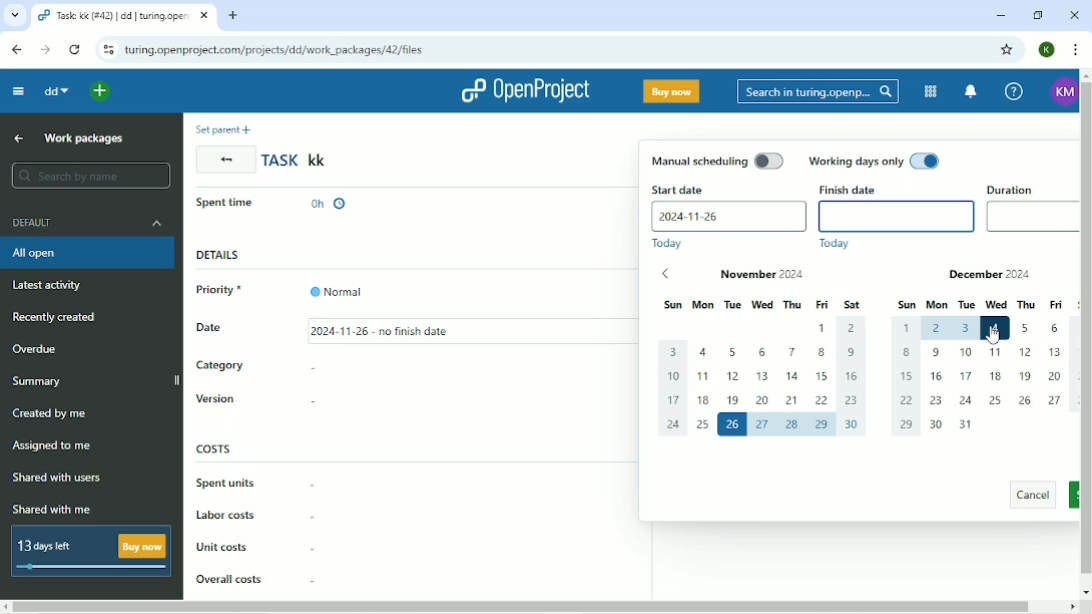  What do you see at coordinates (57, 479) in the screenshot?
I see `Shared with users` at bounding box center [57, 479].